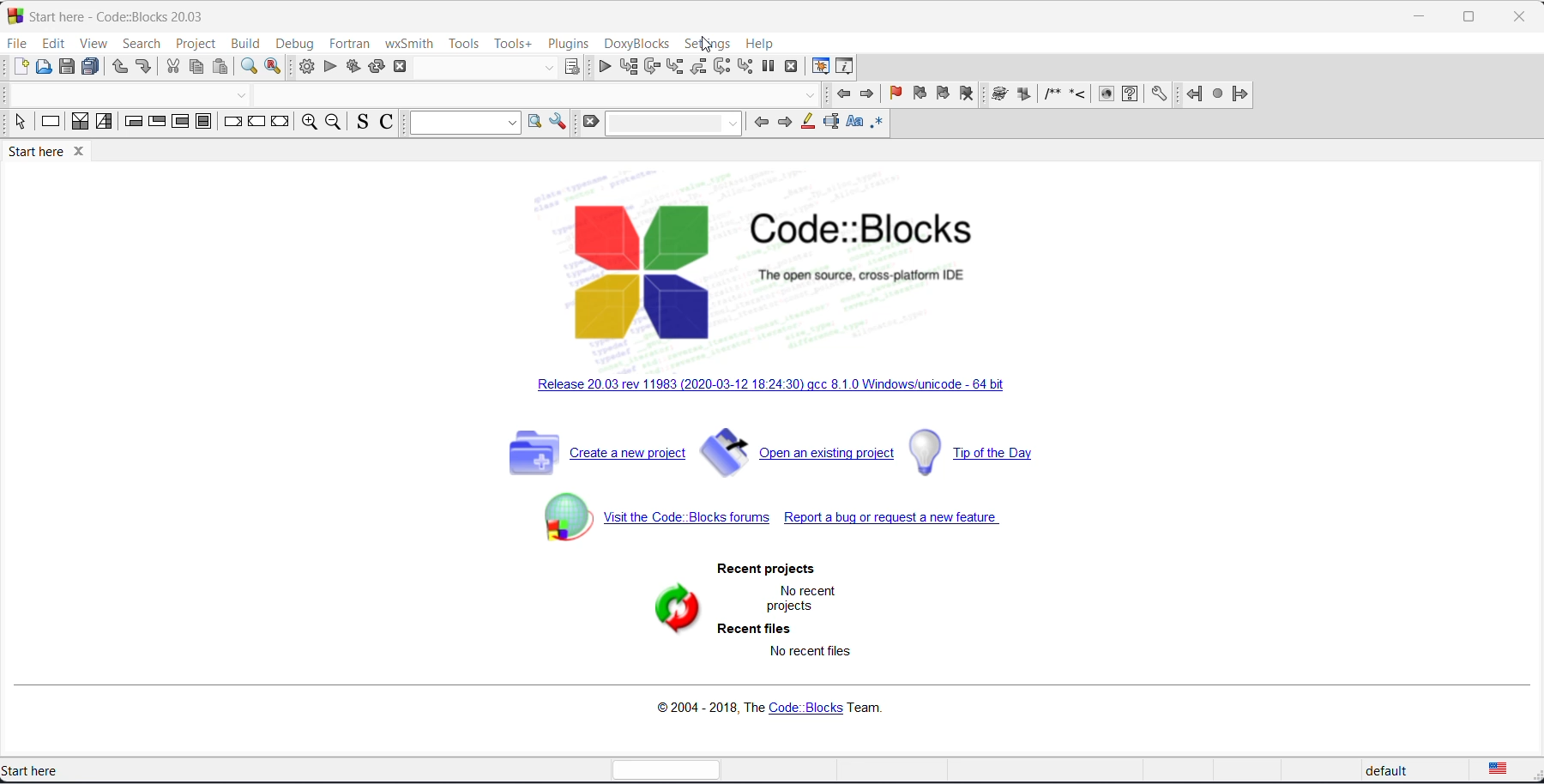  What do you see at coordinates (143, 45) in the screenshot?
I see `search` at bounding box center [143, 45].